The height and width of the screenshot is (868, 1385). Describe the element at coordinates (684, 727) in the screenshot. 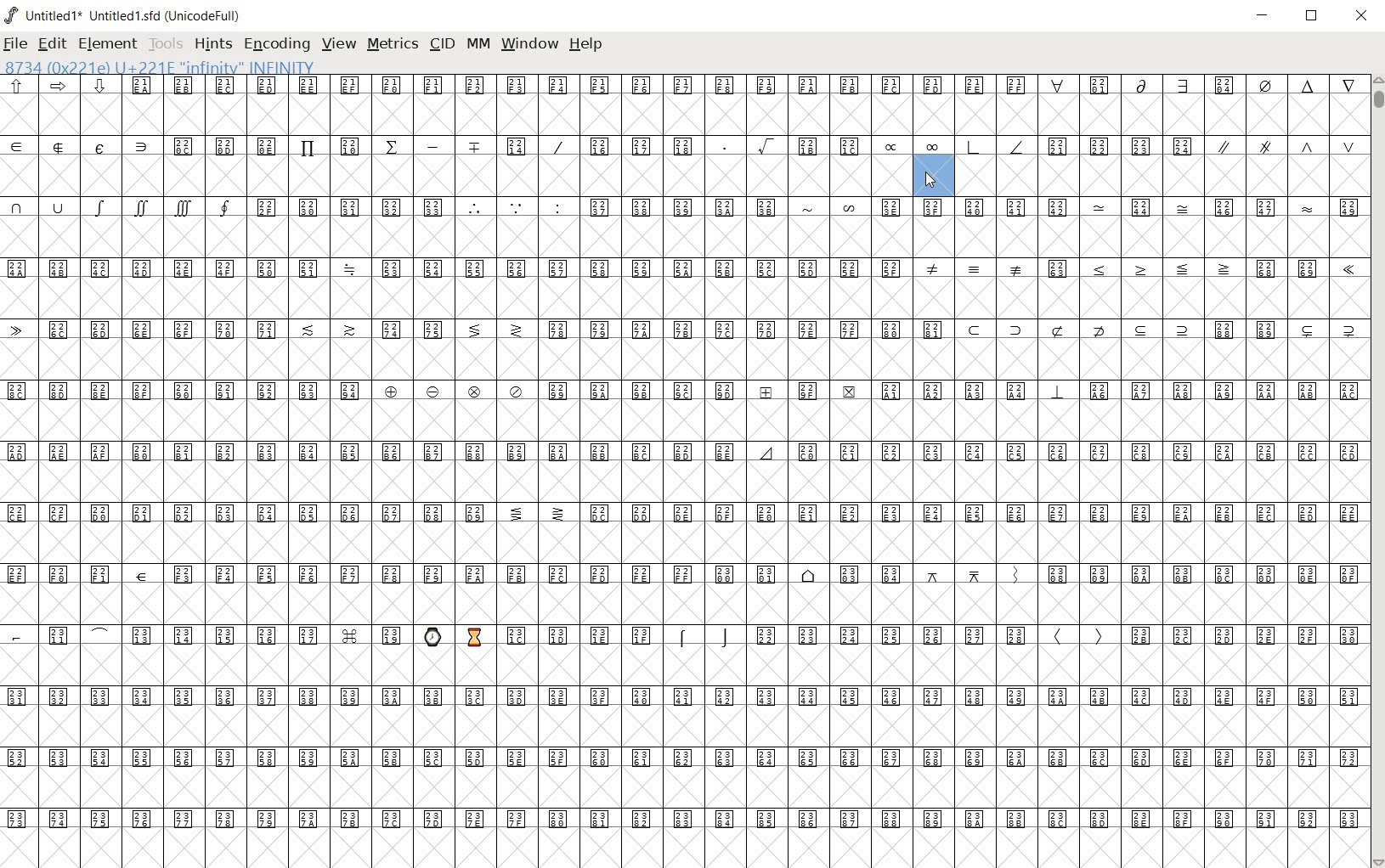

I see `empty glyph slots` at that location.